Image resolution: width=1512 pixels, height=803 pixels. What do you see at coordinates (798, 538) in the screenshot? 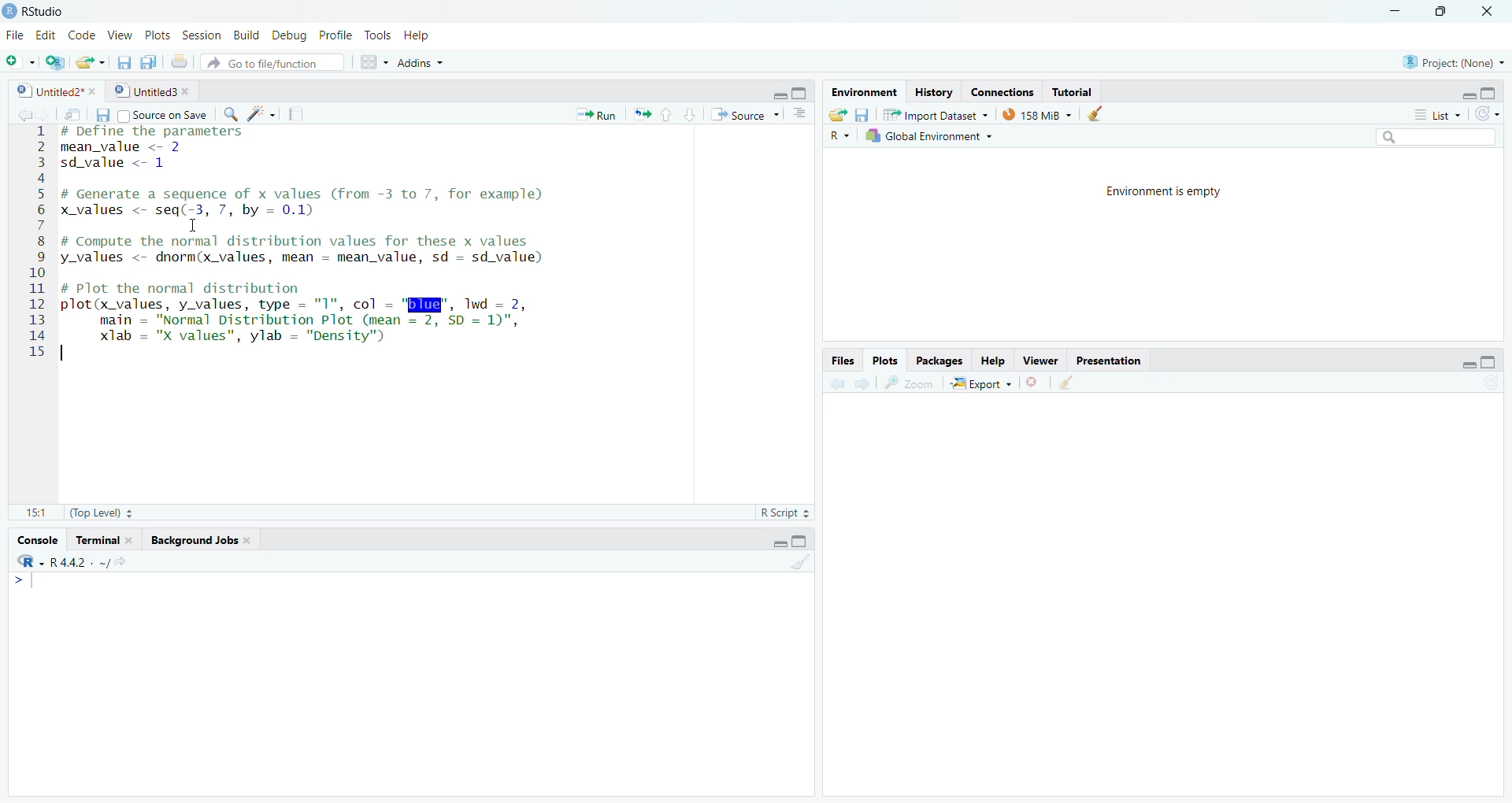
I see `maximize/minimize` at bounding box center [798, 538].